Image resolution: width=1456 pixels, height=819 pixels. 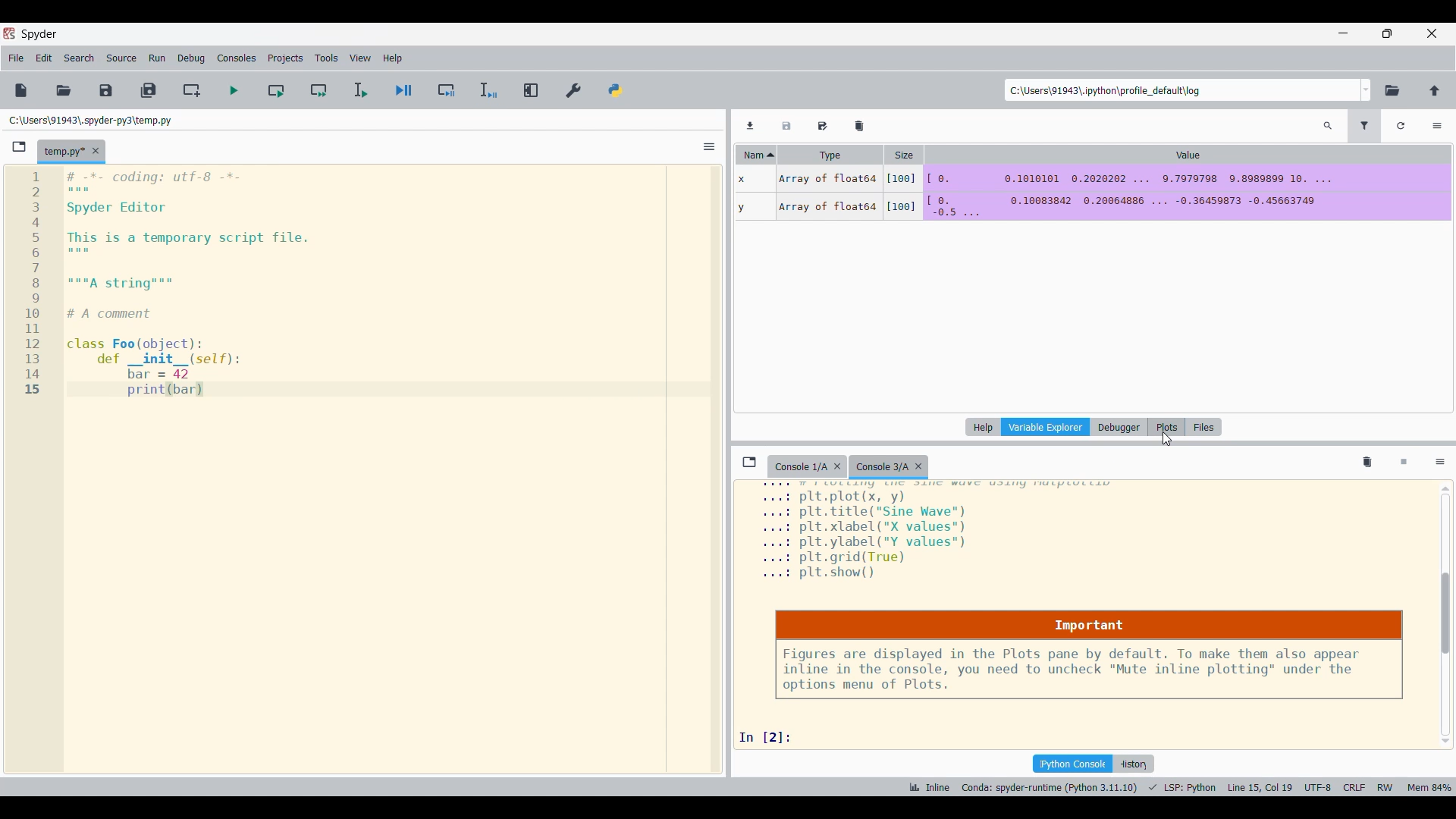 What do you see at coordinates (1438, 126) in the screenshot?
I see `Options` at bounding box center [1438, 126].